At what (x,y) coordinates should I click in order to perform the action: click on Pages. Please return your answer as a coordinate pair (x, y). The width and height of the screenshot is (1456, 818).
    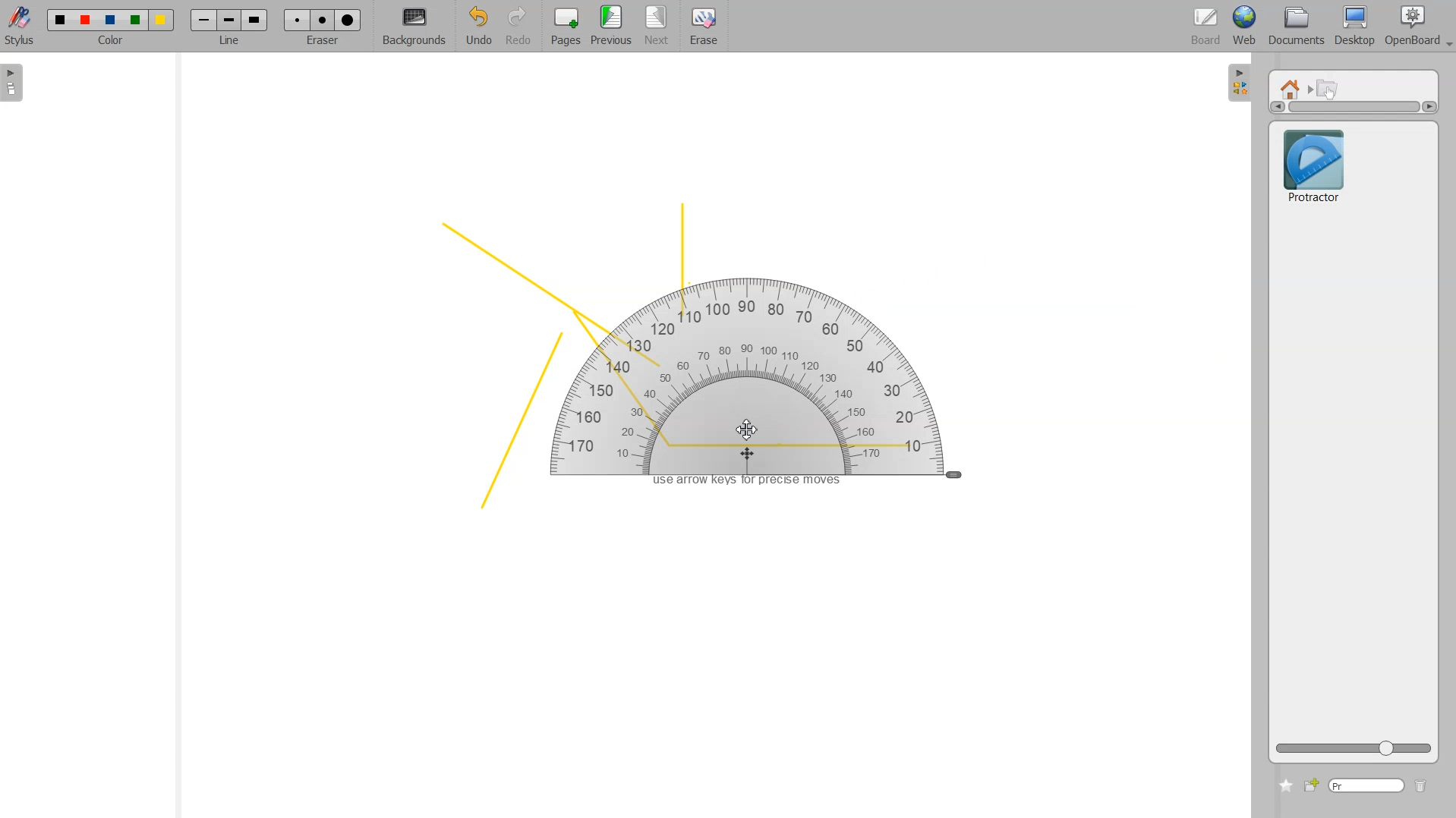
    Looking at the image, I should click on (564, 27).